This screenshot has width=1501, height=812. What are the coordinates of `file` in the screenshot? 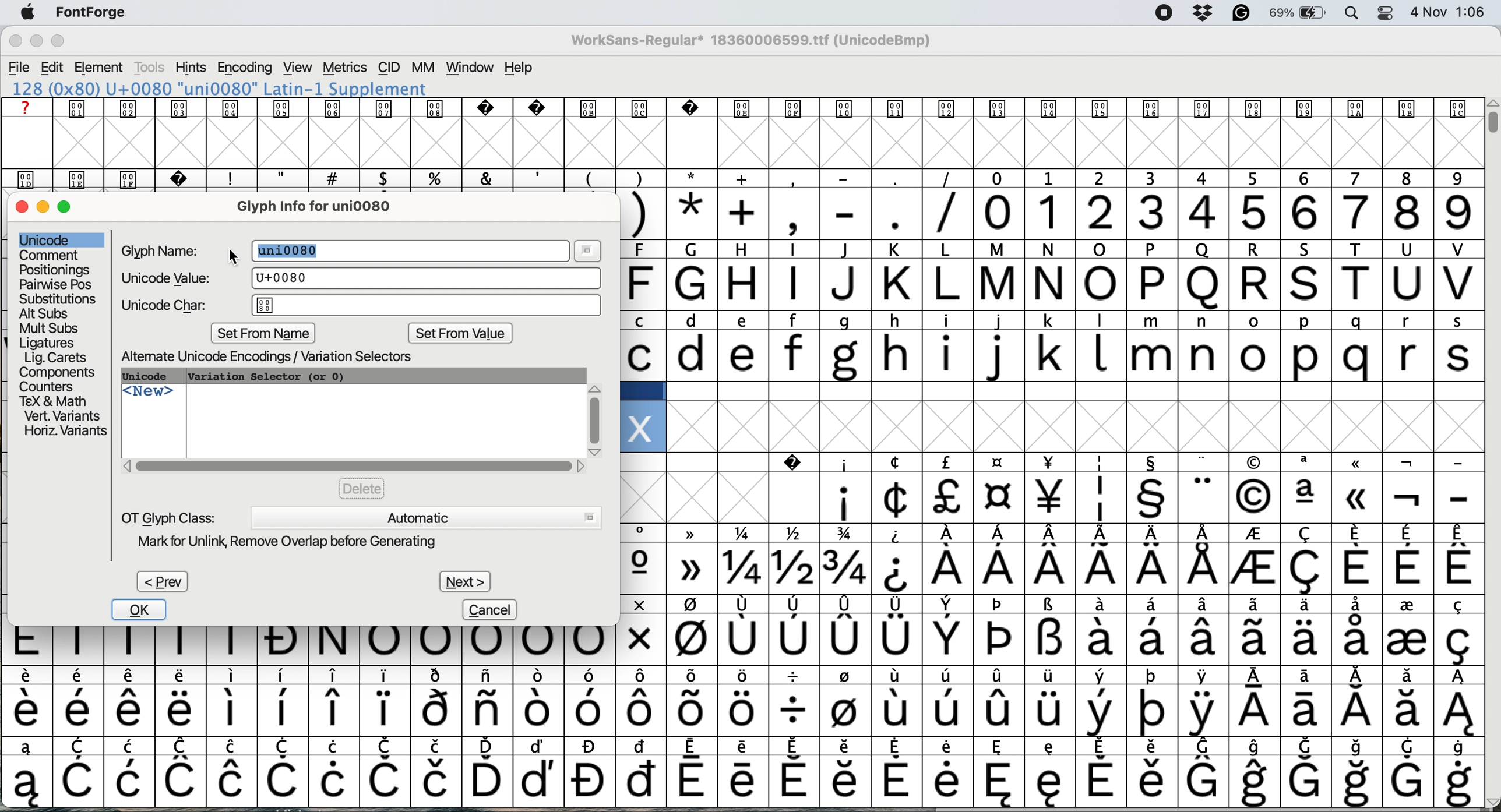 It's located at (19, 66).